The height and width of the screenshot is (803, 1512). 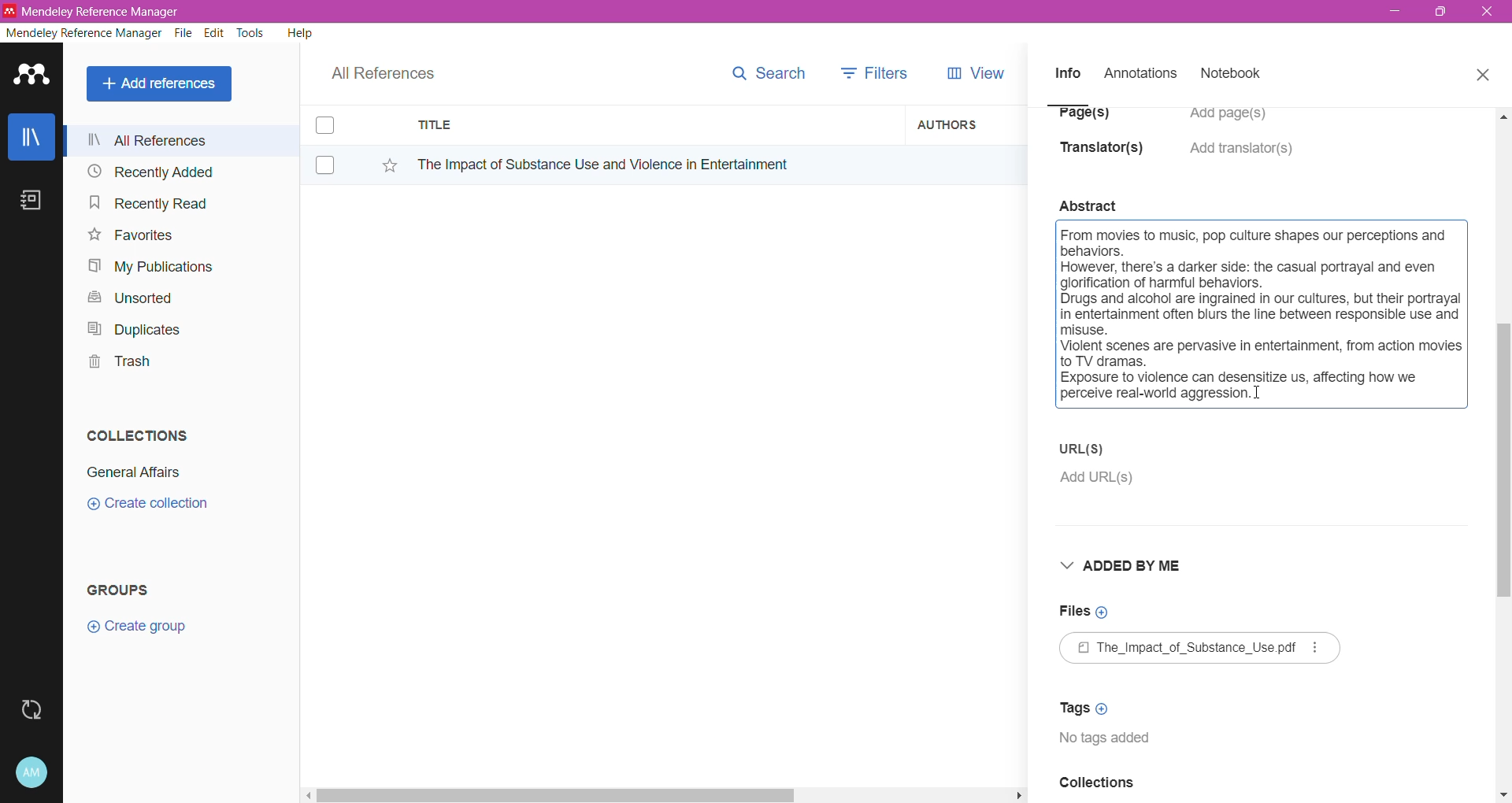 I want to click on Account and Help, so click(x=43, y=773).